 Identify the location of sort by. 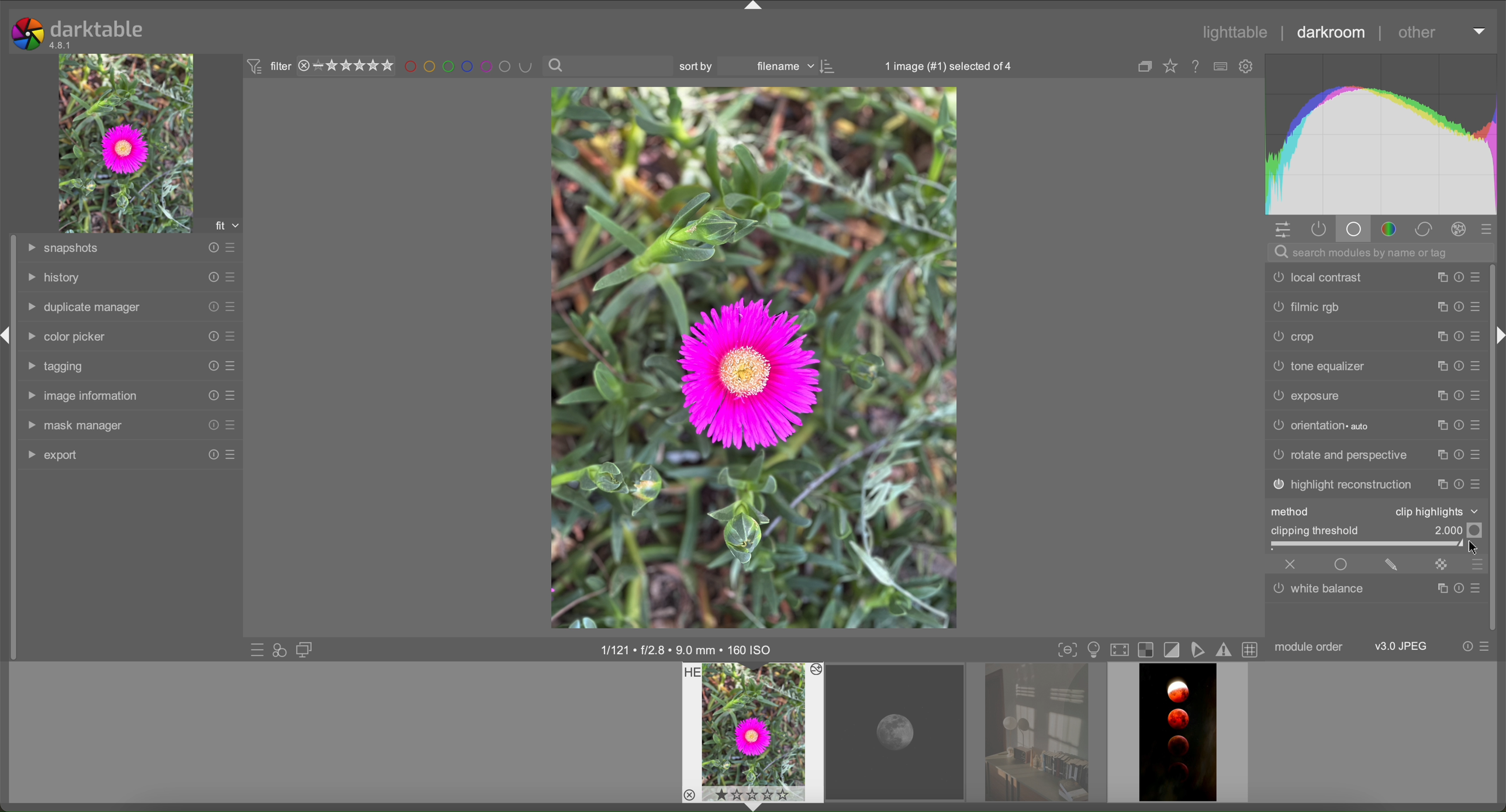
(700, 66).